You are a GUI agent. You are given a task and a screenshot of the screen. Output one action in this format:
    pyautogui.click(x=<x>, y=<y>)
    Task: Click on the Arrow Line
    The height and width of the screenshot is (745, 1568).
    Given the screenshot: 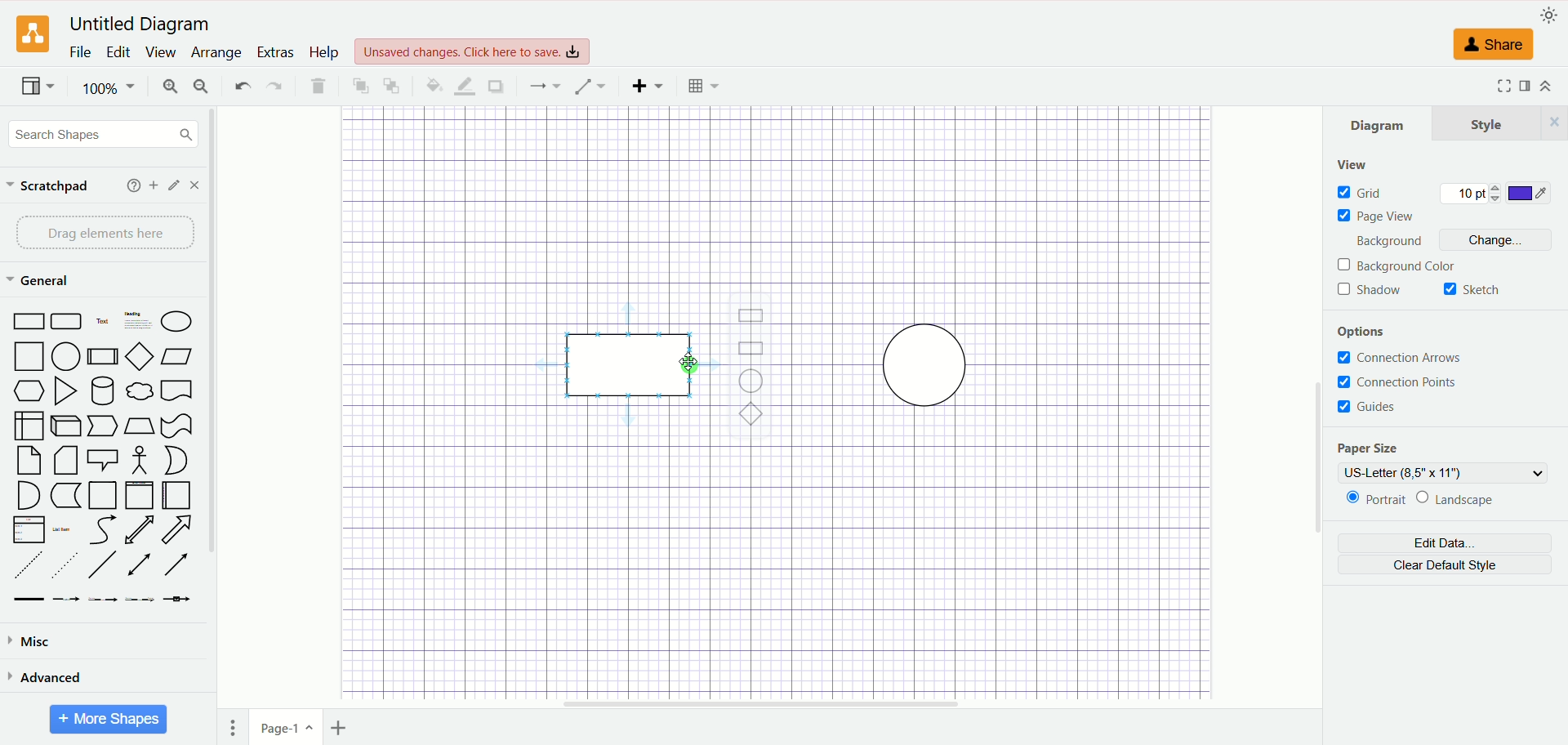 What is the action you would take?
    pyautogui.click(x=176, y=567)
    